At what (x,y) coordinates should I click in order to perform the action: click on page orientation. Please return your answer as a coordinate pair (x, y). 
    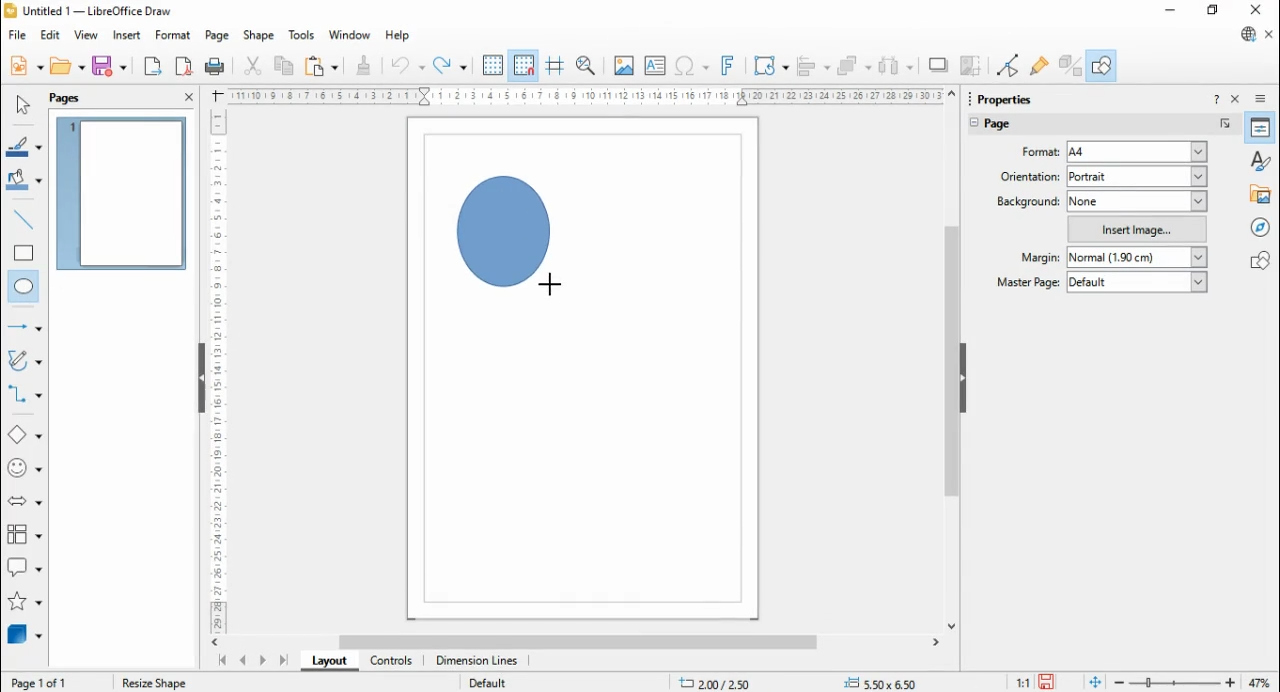
    Looking at the image, I should click on (1028, 176).